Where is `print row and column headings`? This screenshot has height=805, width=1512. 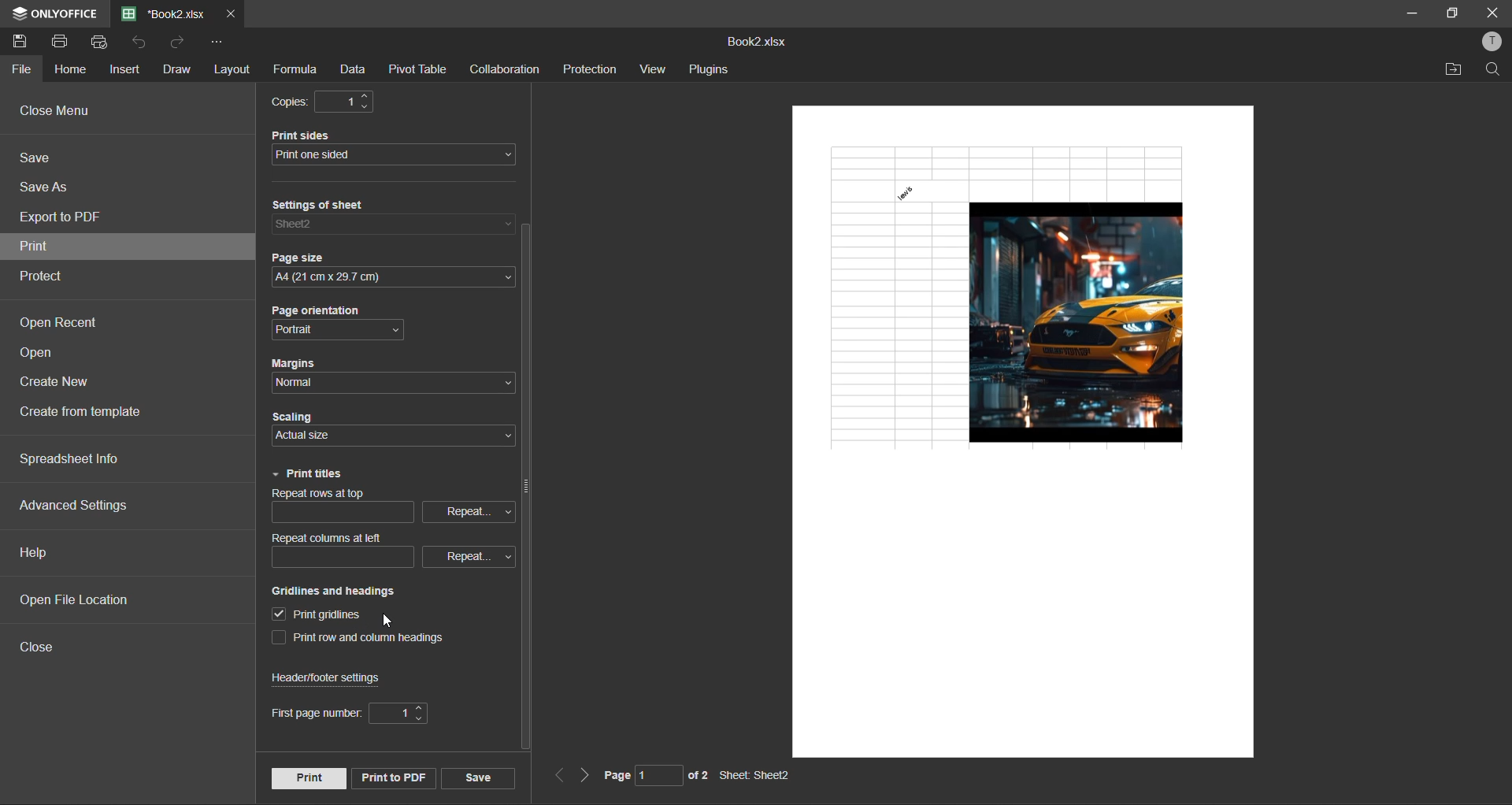 print row and column headings is located at coordinates (355, 638).